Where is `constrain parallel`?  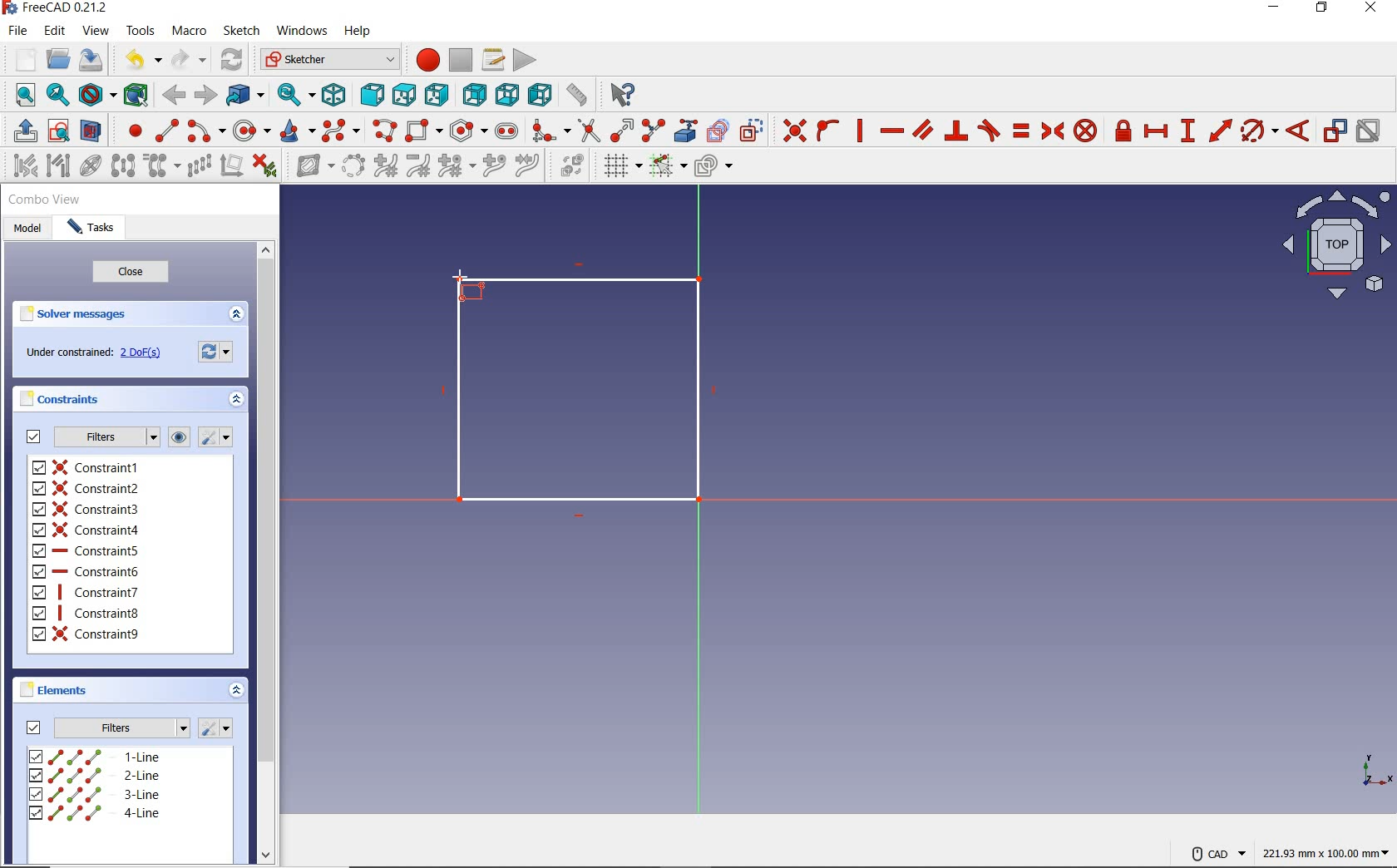
constrain parallel is located at coordinates (922, 131).